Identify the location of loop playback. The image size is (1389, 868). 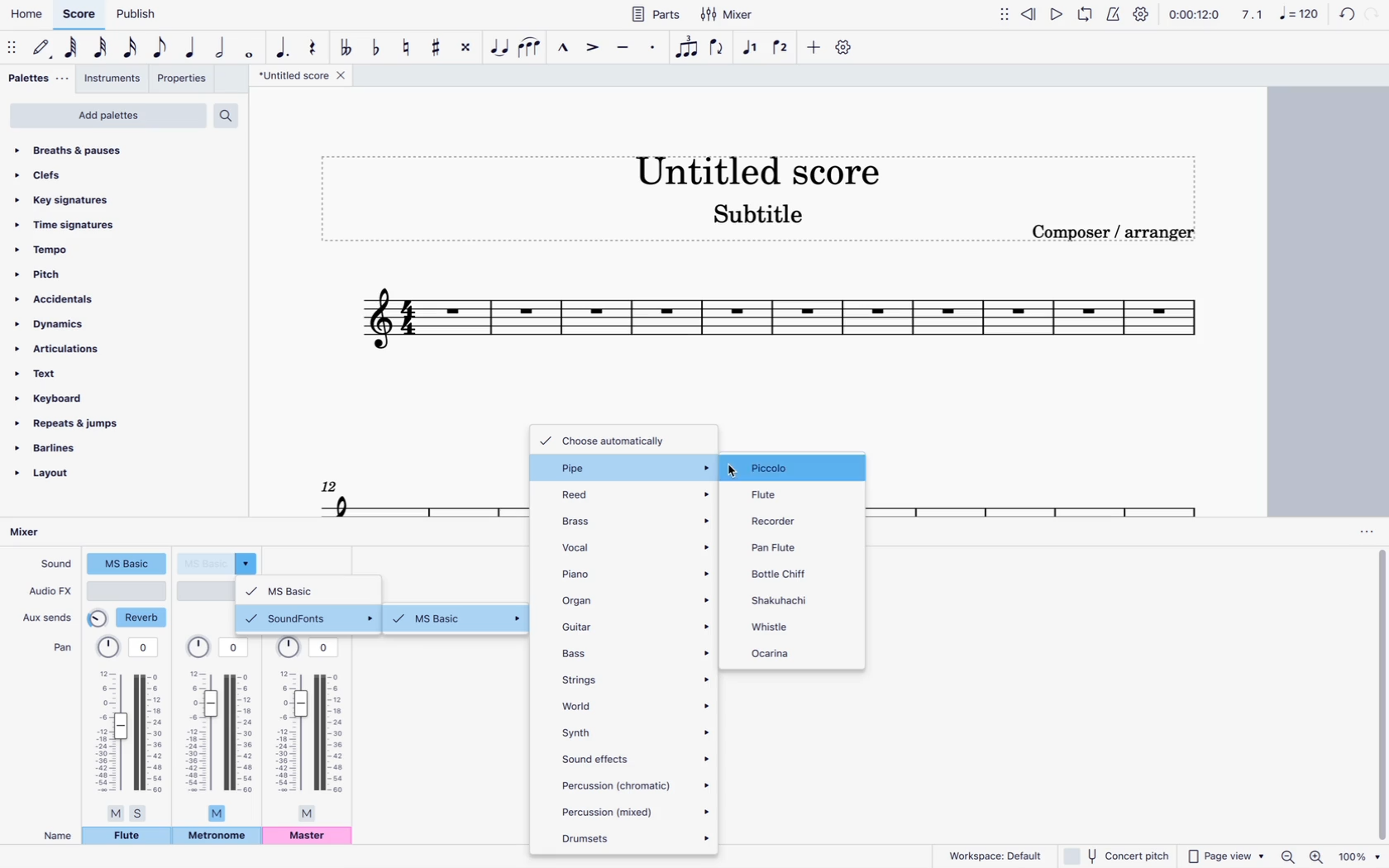
(1086, 17).